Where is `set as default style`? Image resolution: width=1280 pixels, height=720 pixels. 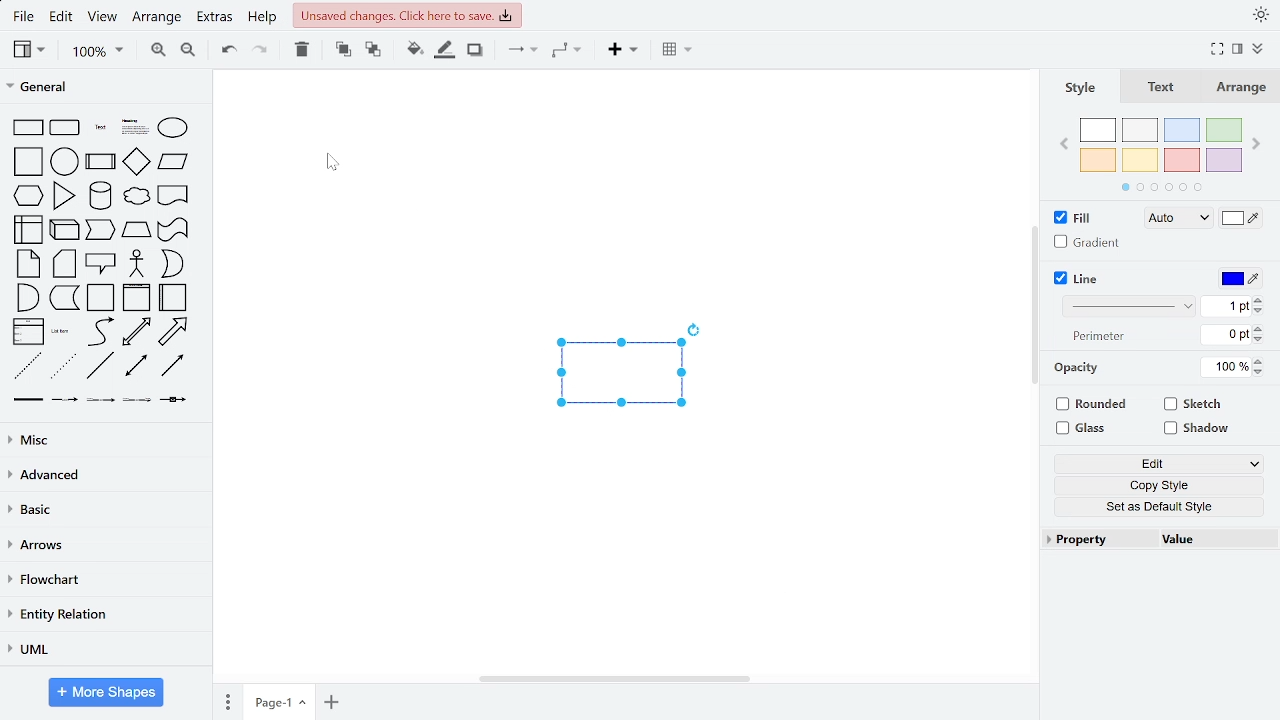
set as default style is located at coordinates (1154, 507).